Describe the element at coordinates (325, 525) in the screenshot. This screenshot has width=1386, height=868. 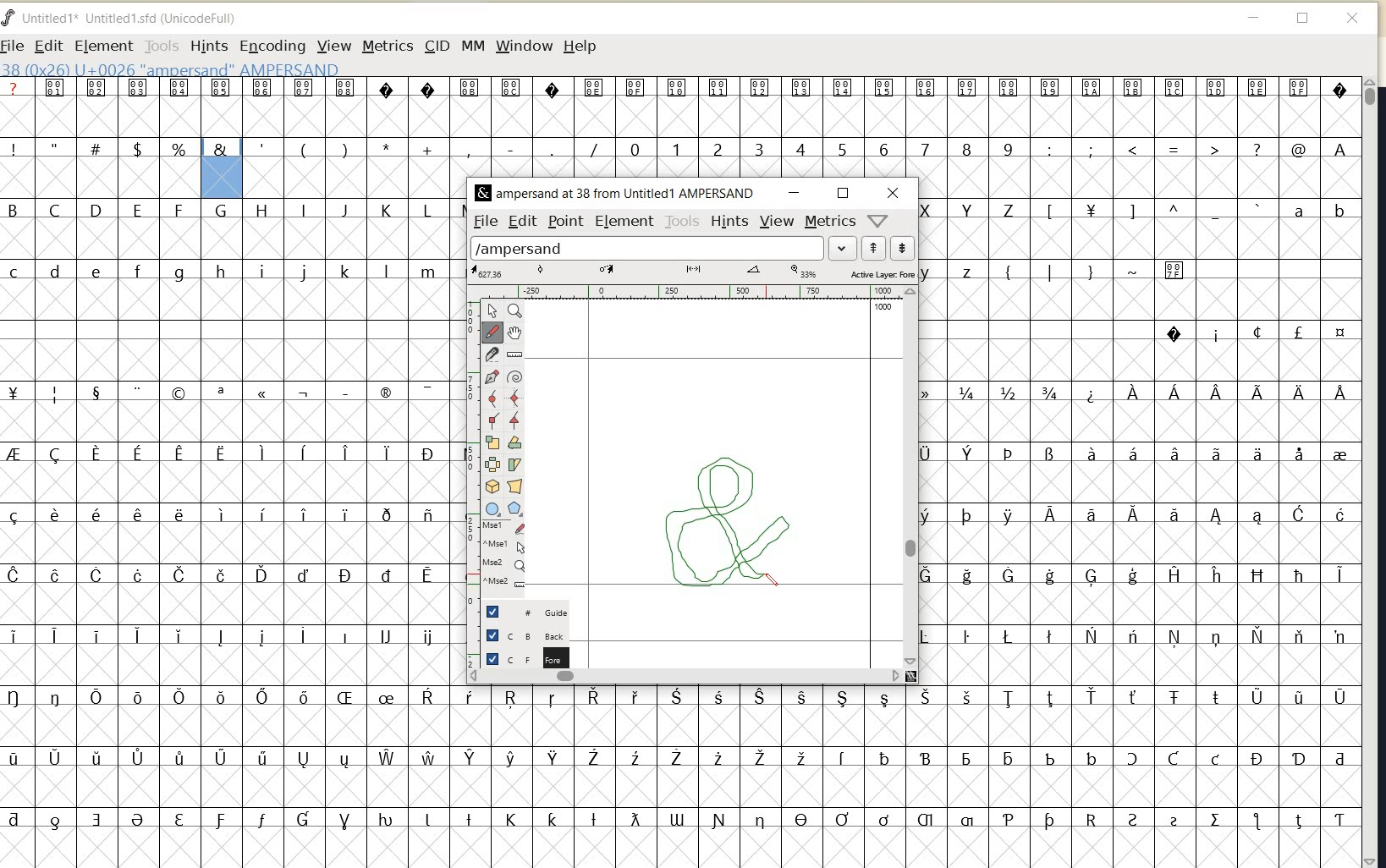
I see `glyph characters` at that location.